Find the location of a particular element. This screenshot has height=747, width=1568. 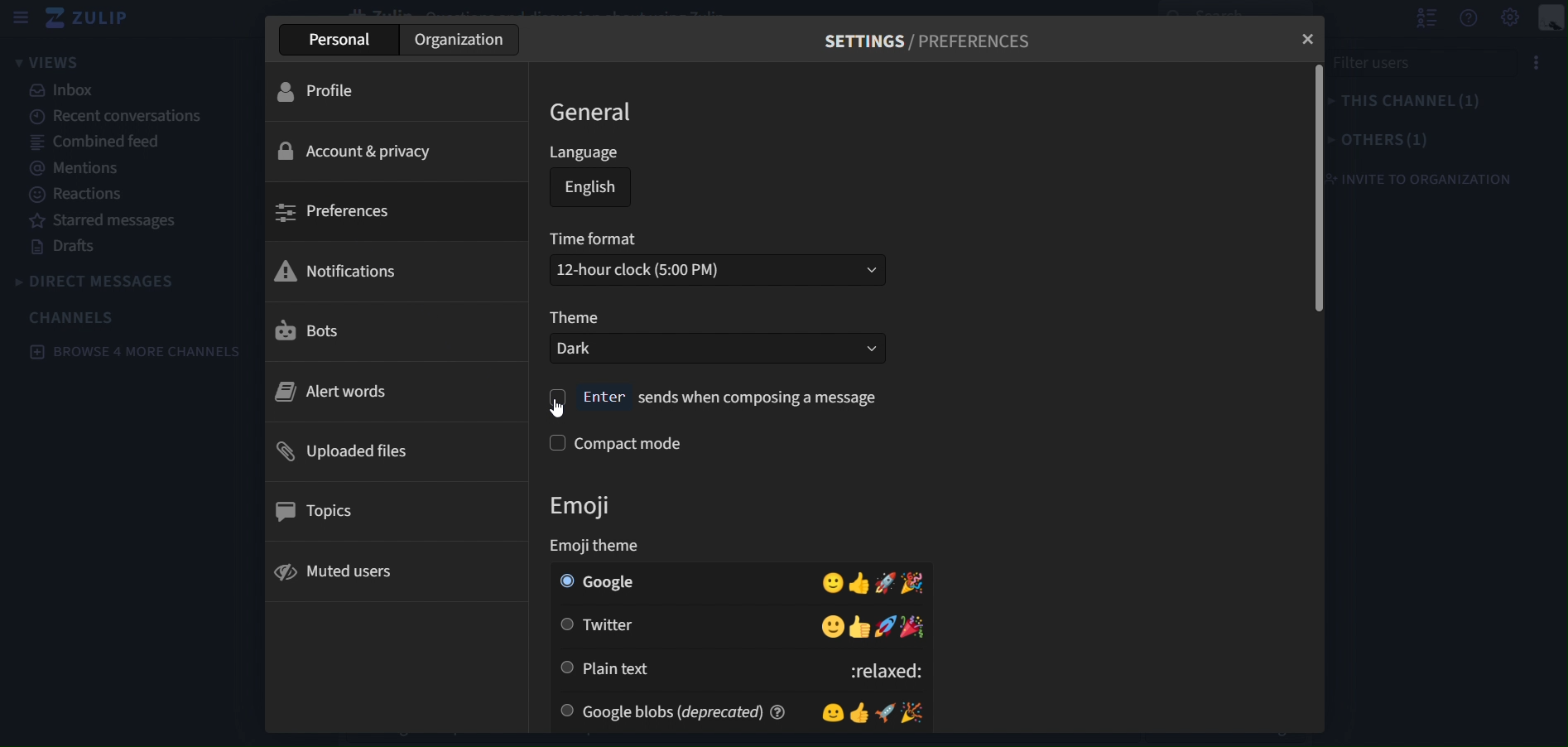

starred messages is located at coordinates (103, 221).